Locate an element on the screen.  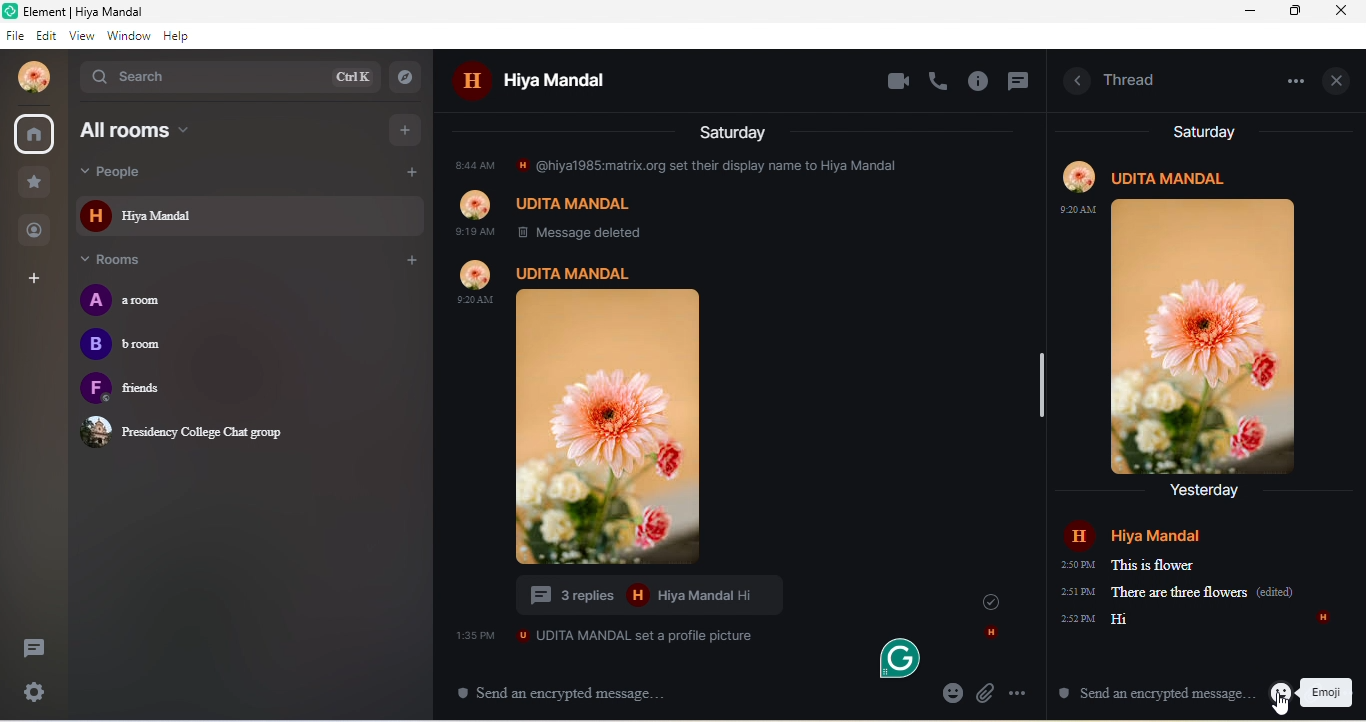
Edit is located at coordinates (46, 35).